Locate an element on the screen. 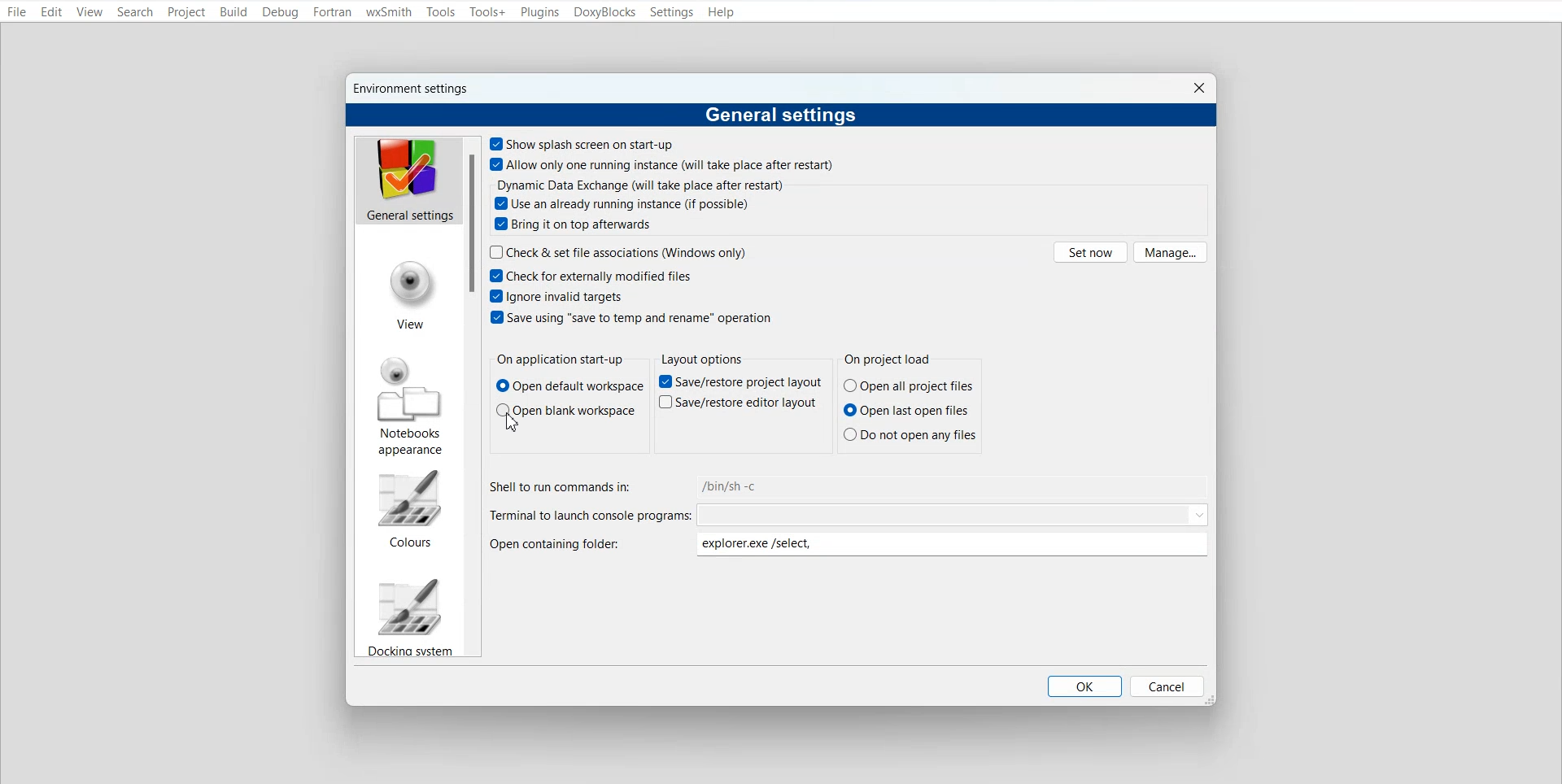 This screenshot has width=1562, height=784. General settings is located at coordinates (408, 180).